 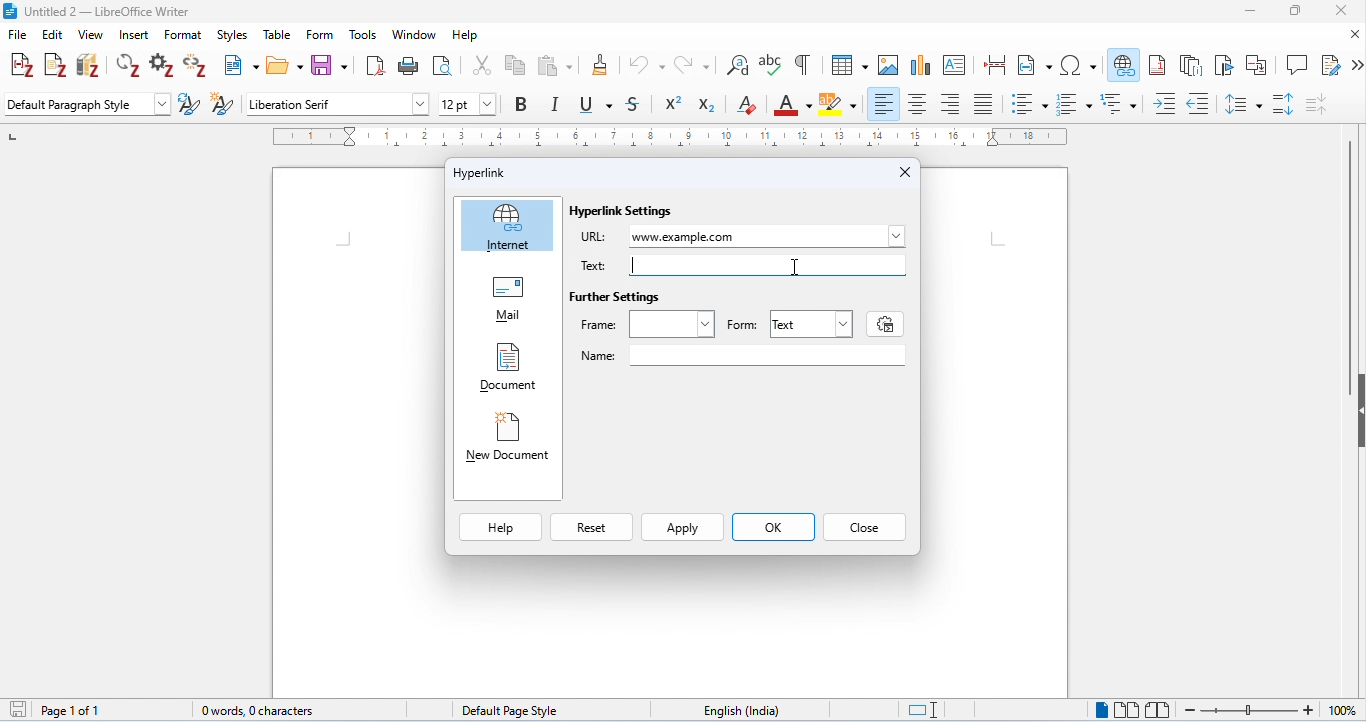 I want to click on increase indent, so click(x=1166, y=103).